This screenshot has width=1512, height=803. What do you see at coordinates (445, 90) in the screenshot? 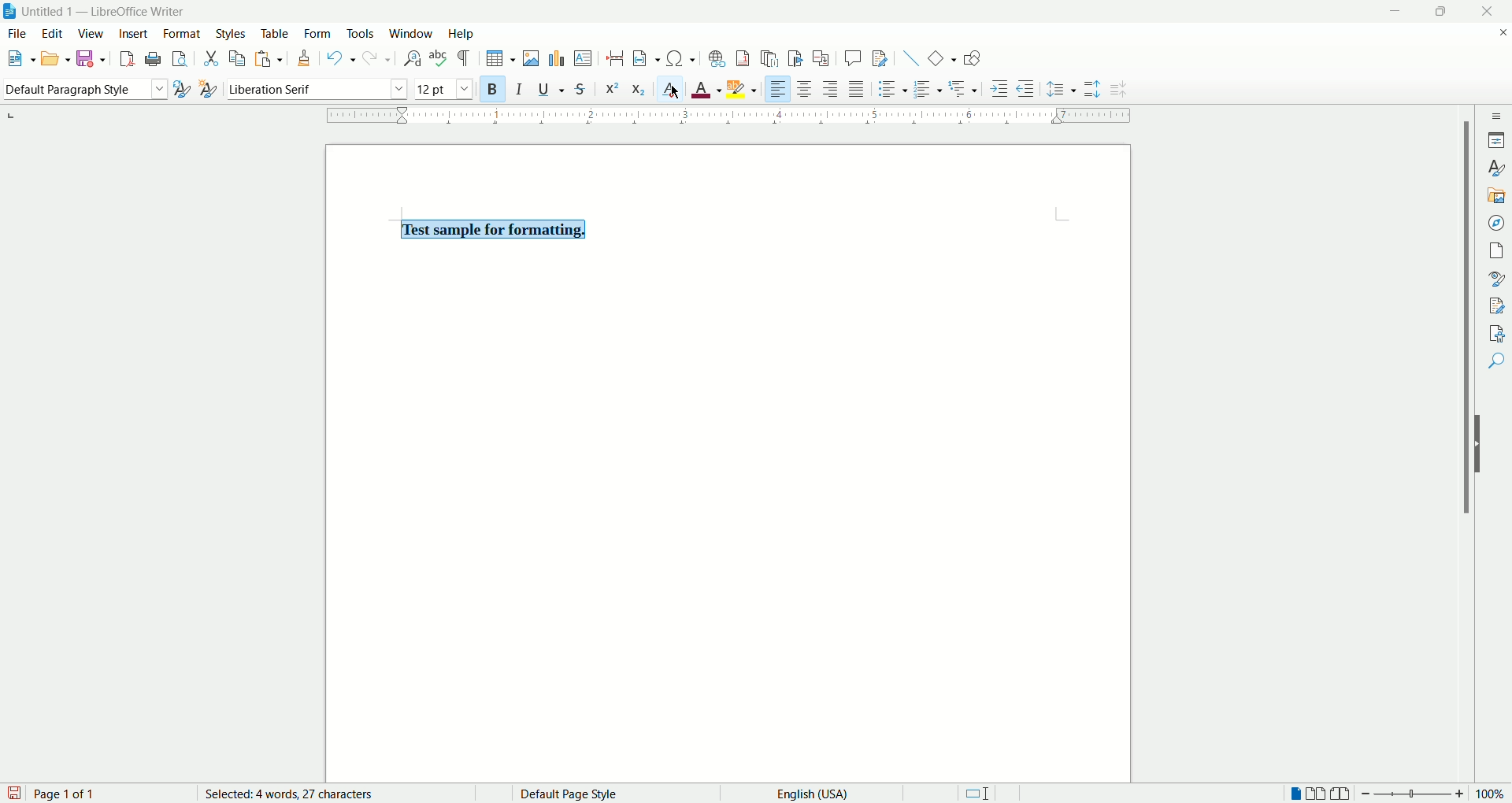
I see `font size` at bounding box center [445, 90].